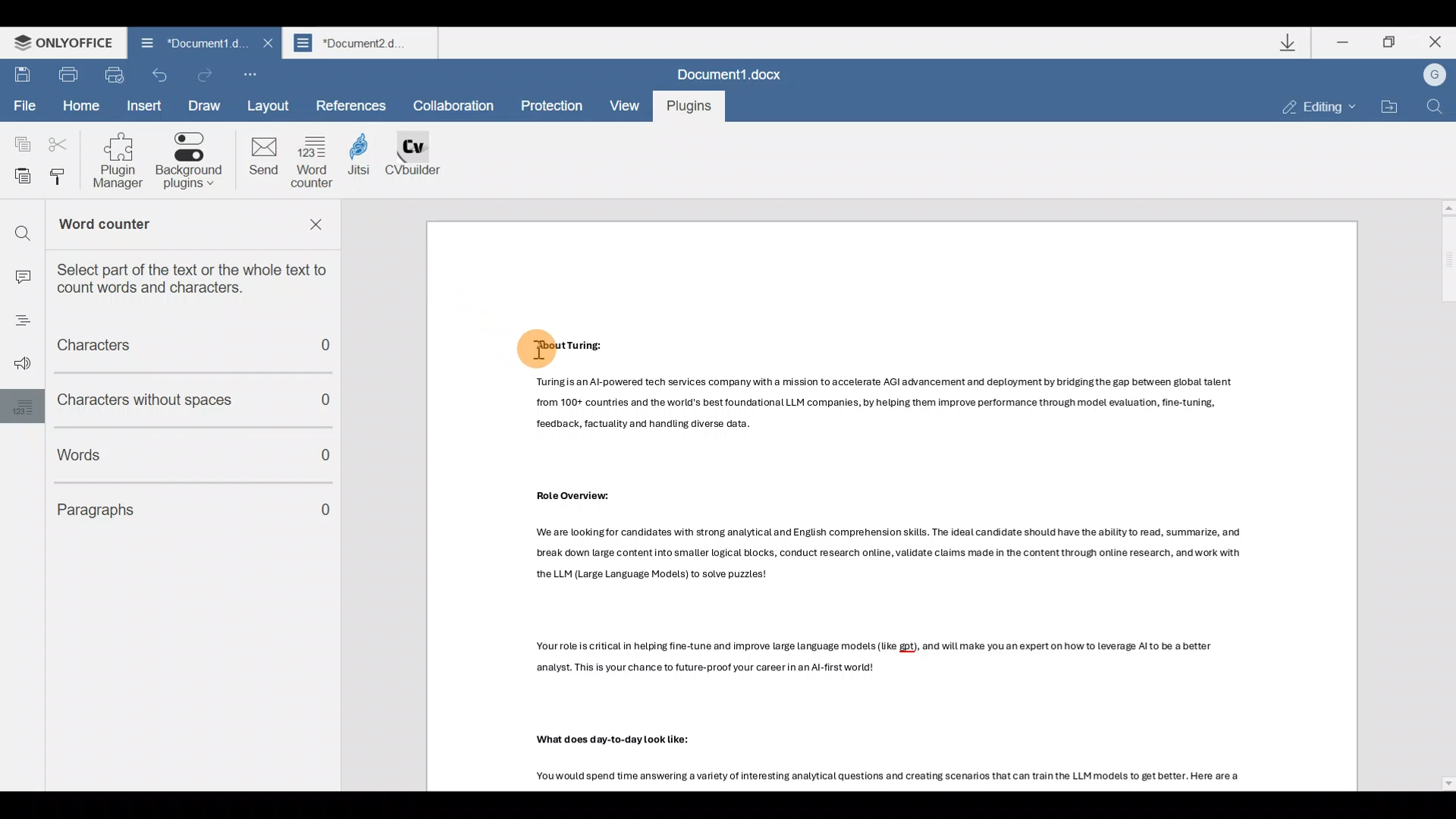  Describe the element at coordinates (124, 161) in the screenshot. I see `Plugin manager` at that location.